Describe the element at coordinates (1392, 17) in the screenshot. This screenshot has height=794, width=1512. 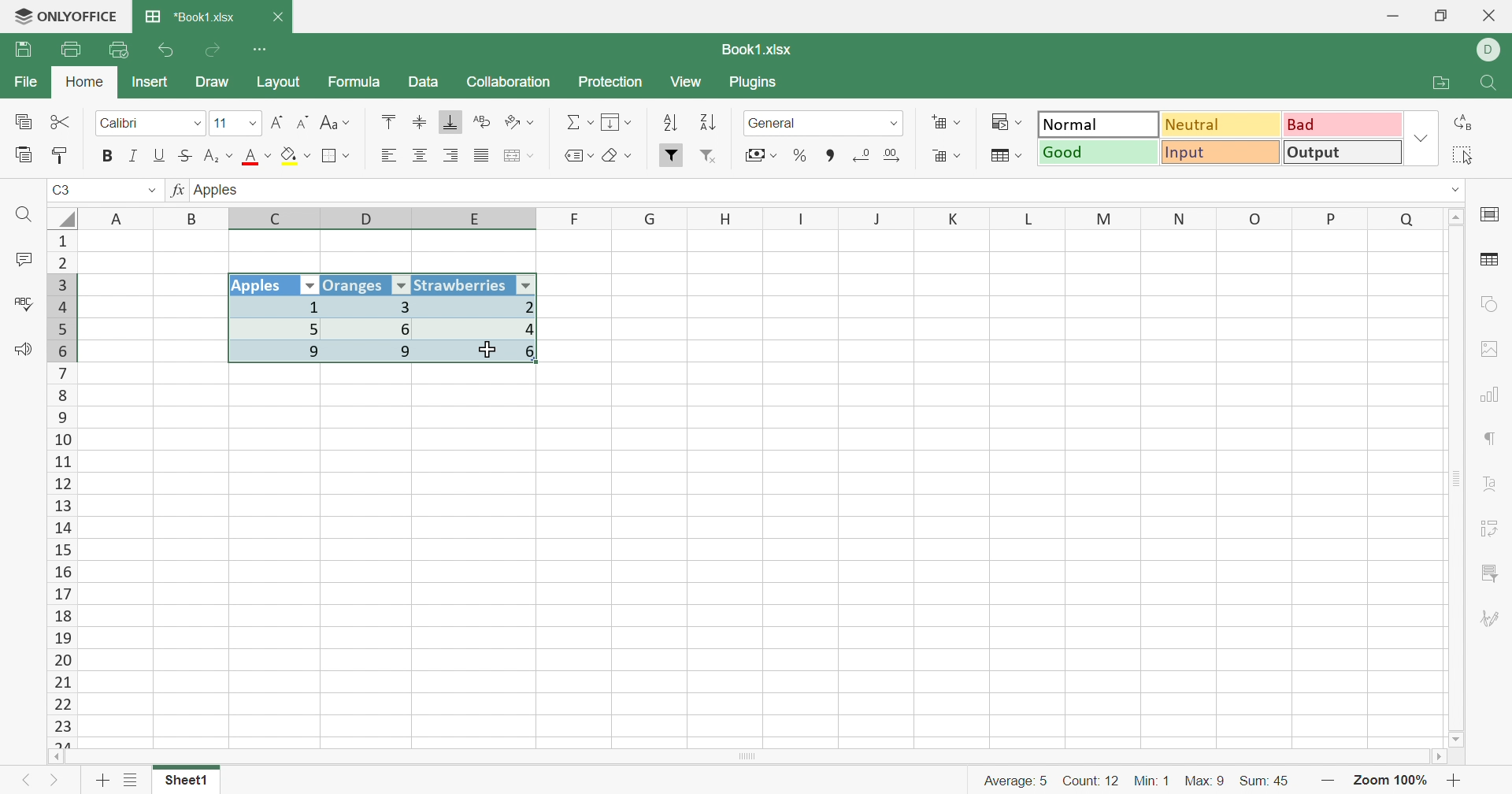
I see `Minimize` at that location.